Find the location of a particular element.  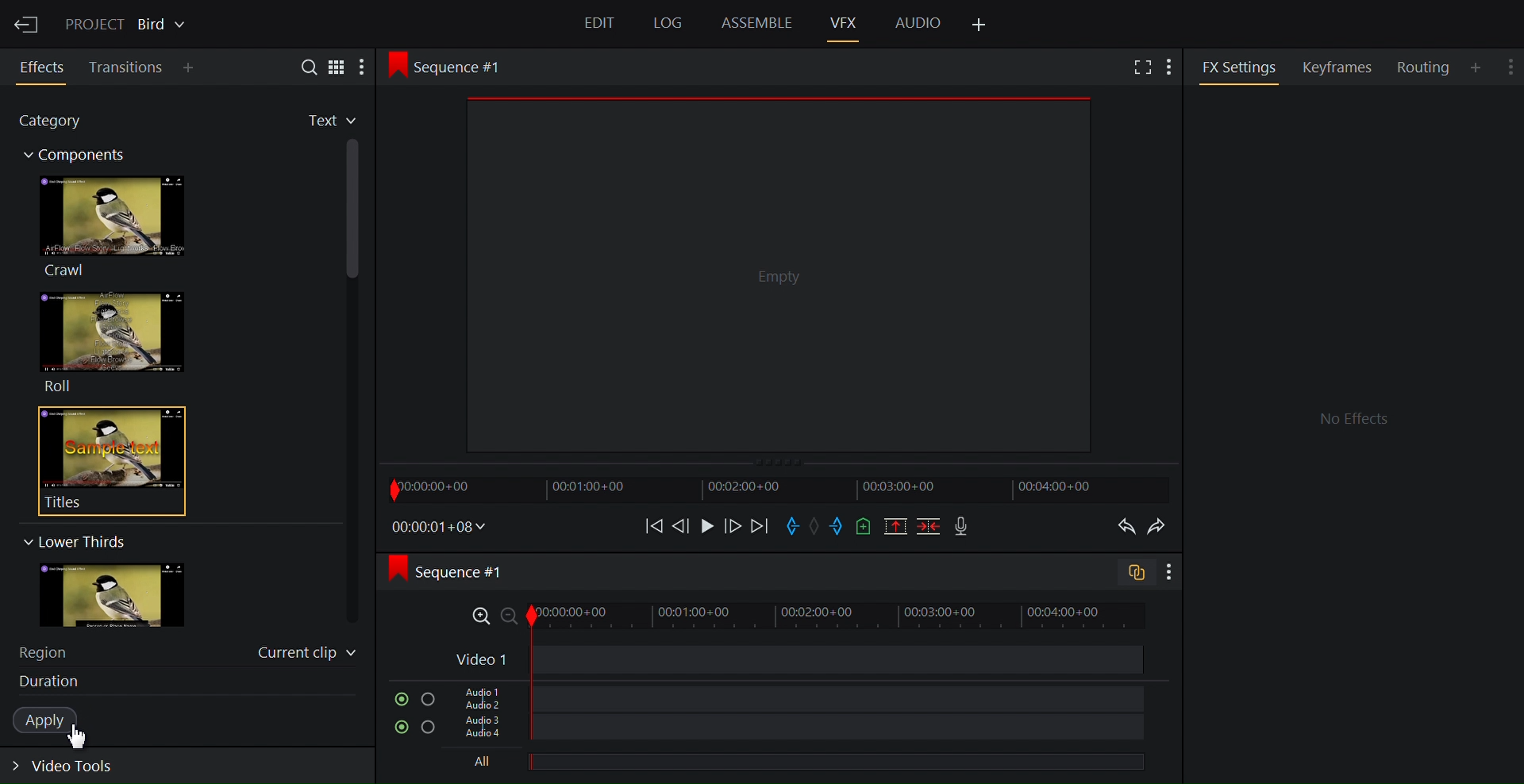

Favorites is located at coordinates (318, 121).